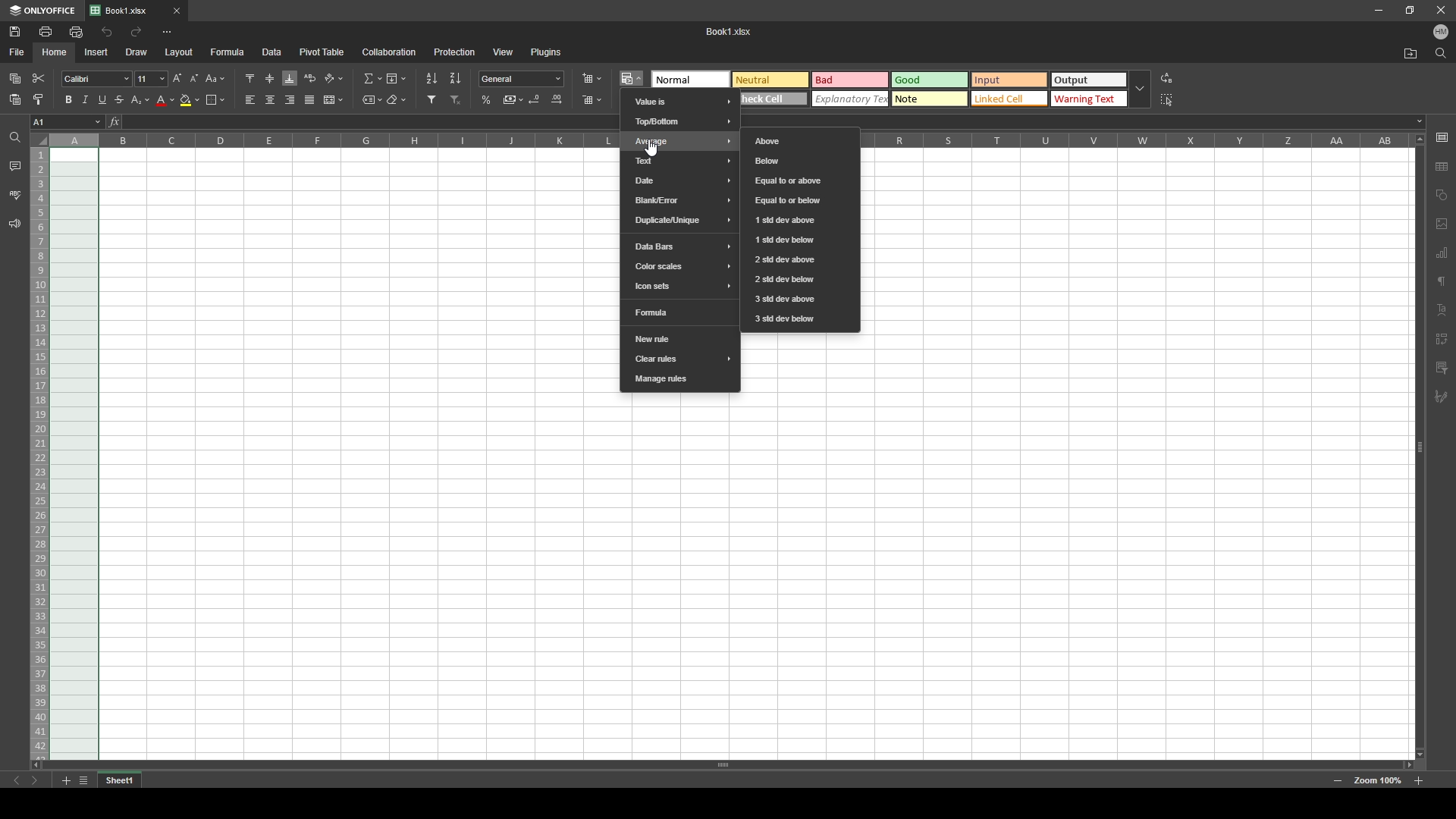  What do you see at coordinates (322, 51) in the screenshot?
I see `pivot table` at bounding box center [322, 51].